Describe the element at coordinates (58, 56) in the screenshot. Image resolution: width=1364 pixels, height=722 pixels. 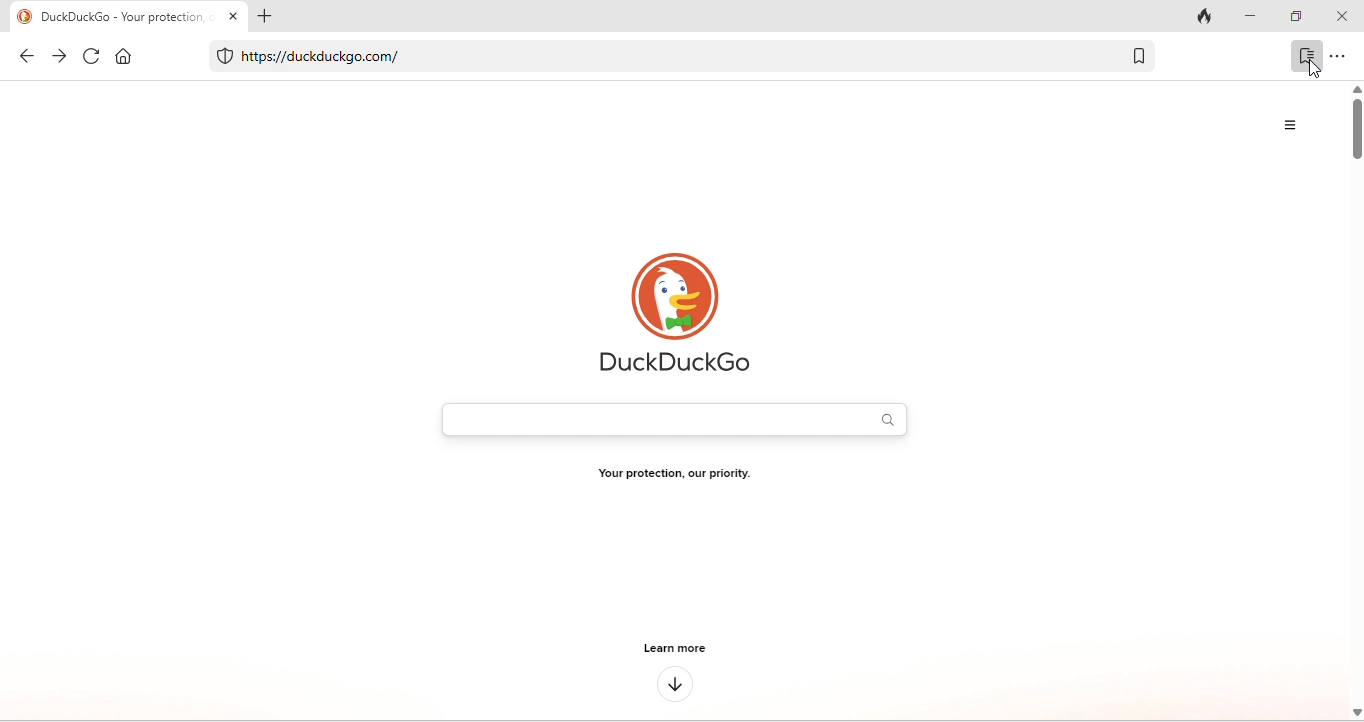
I see `forward` at that location.